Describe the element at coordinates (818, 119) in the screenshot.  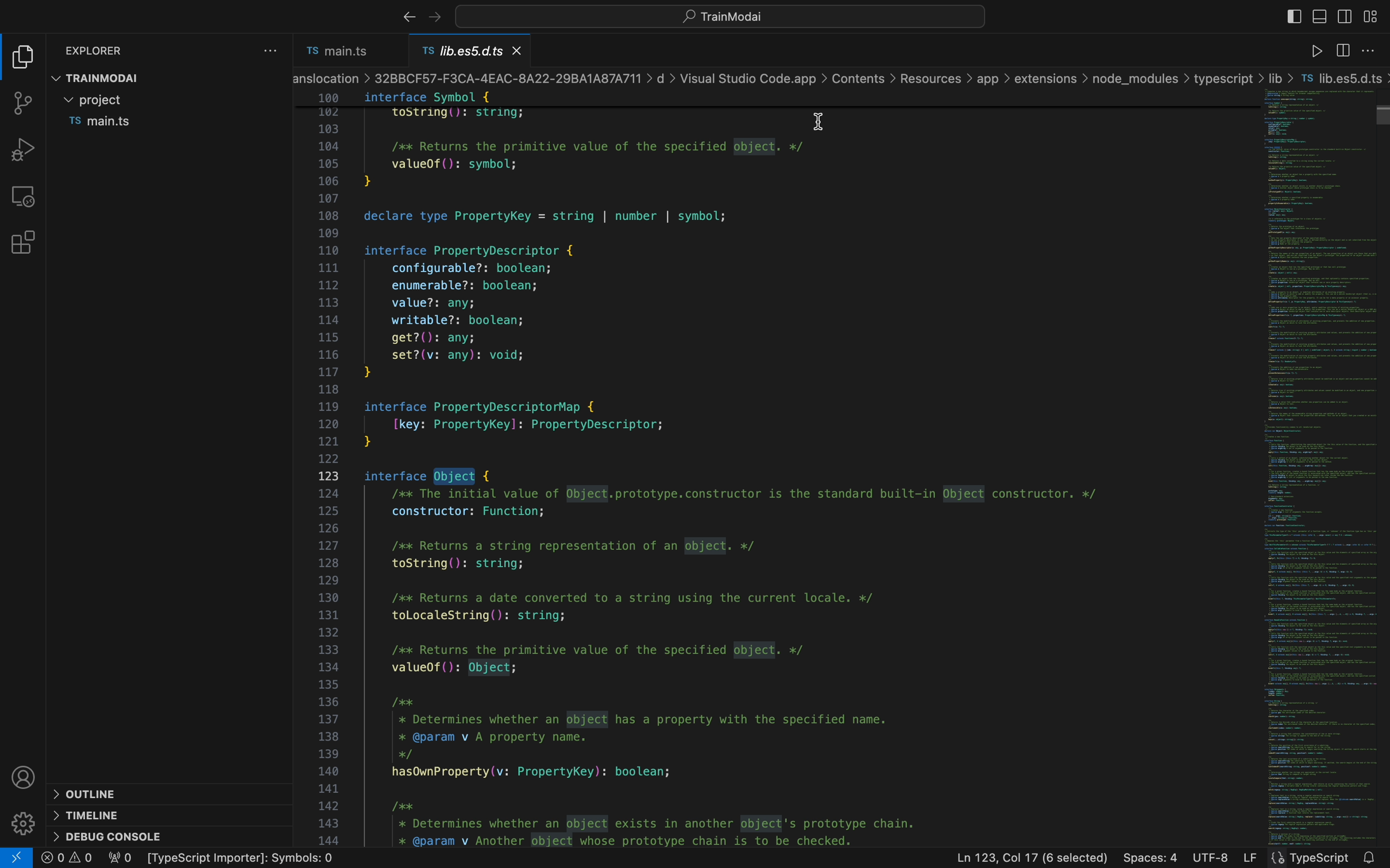
I see `cursor` at that location.